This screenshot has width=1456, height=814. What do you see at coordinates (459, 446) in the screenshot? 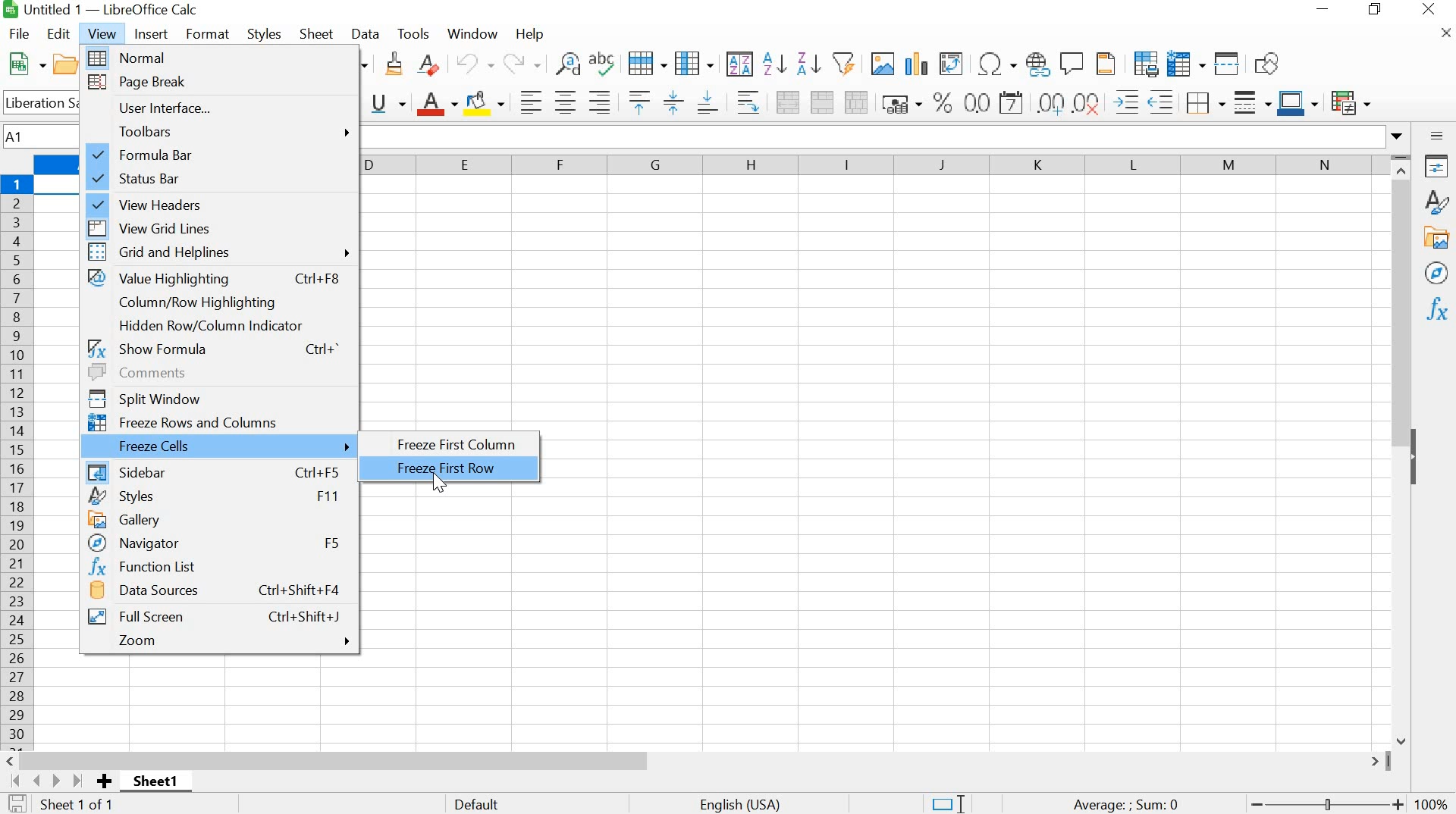
I see `FREEZE FIRST COLUMN` at bounding box center [459, 446].